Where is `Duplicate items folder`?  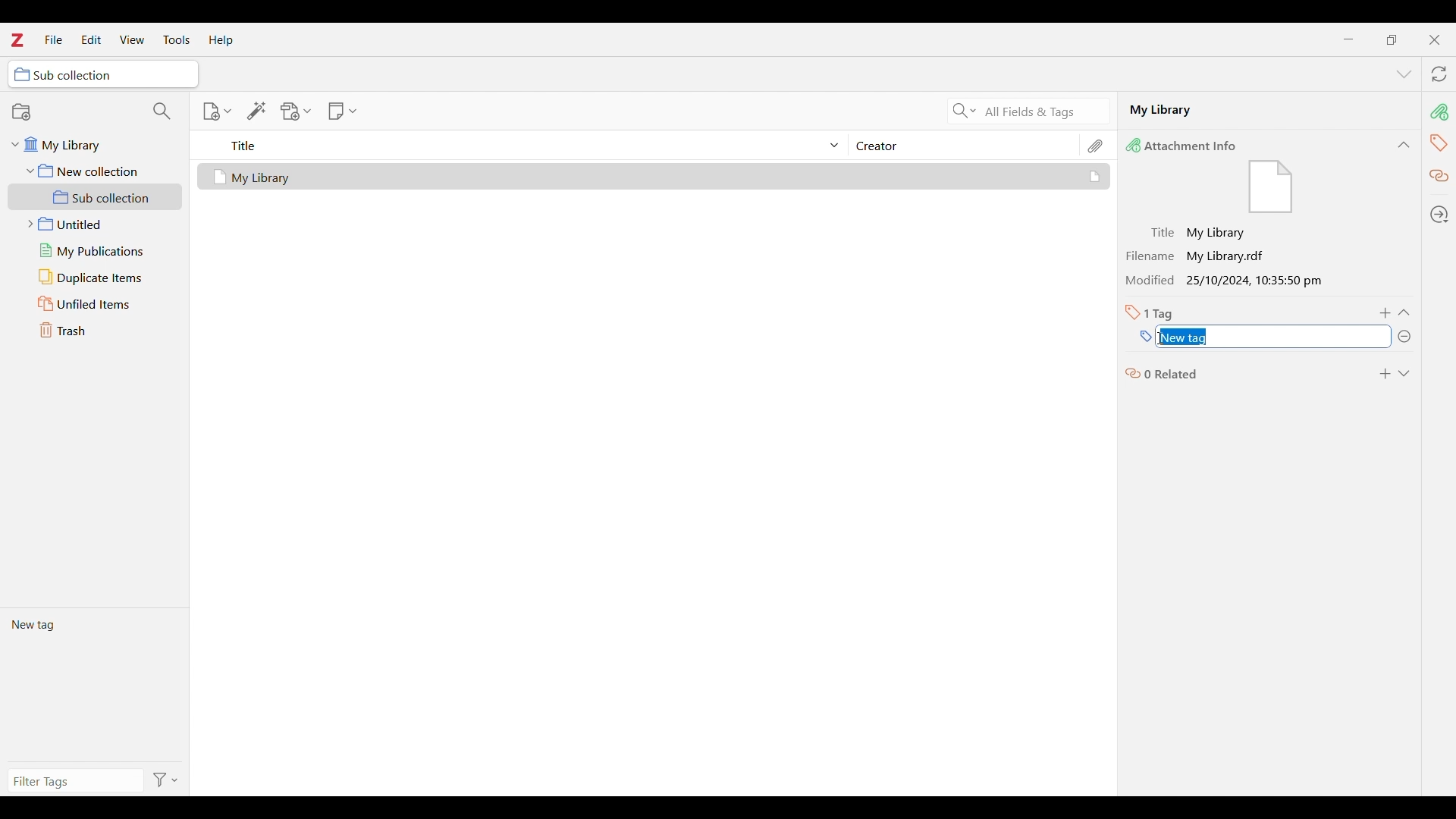
Duplicate items folder is located at coordinates (96, 278).